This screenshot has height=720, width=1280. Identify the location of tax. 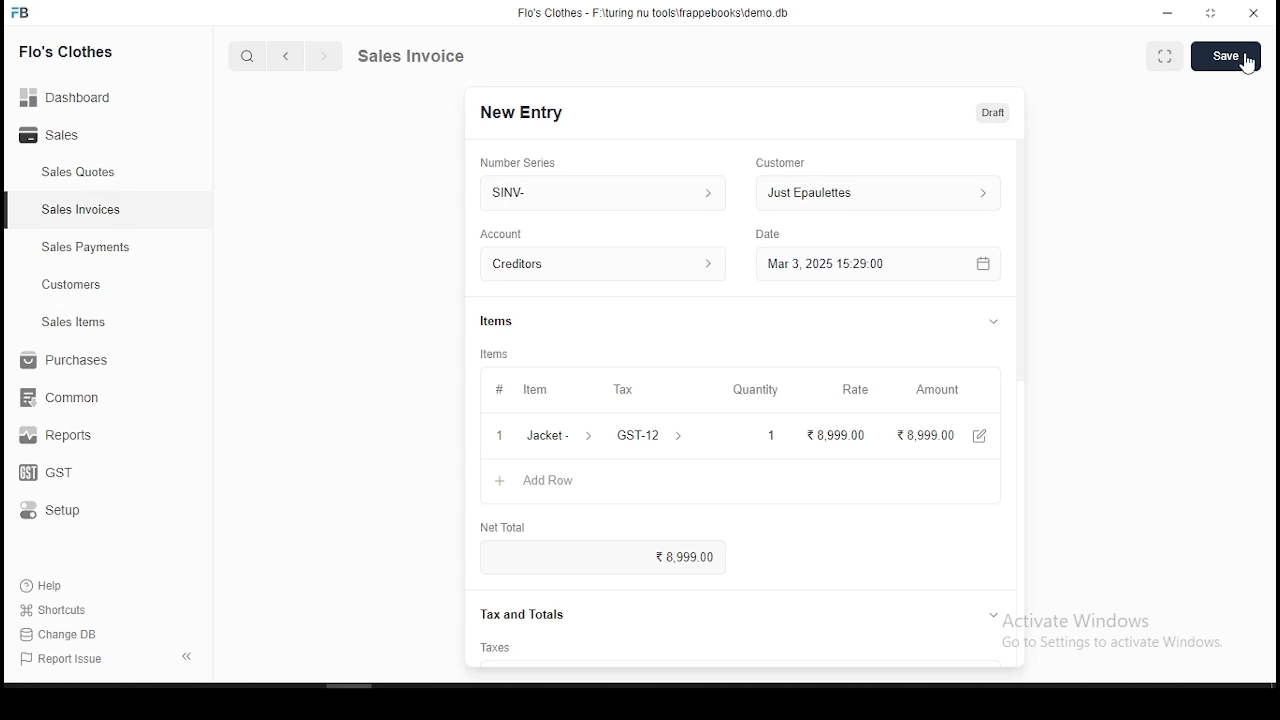
(625, 388).